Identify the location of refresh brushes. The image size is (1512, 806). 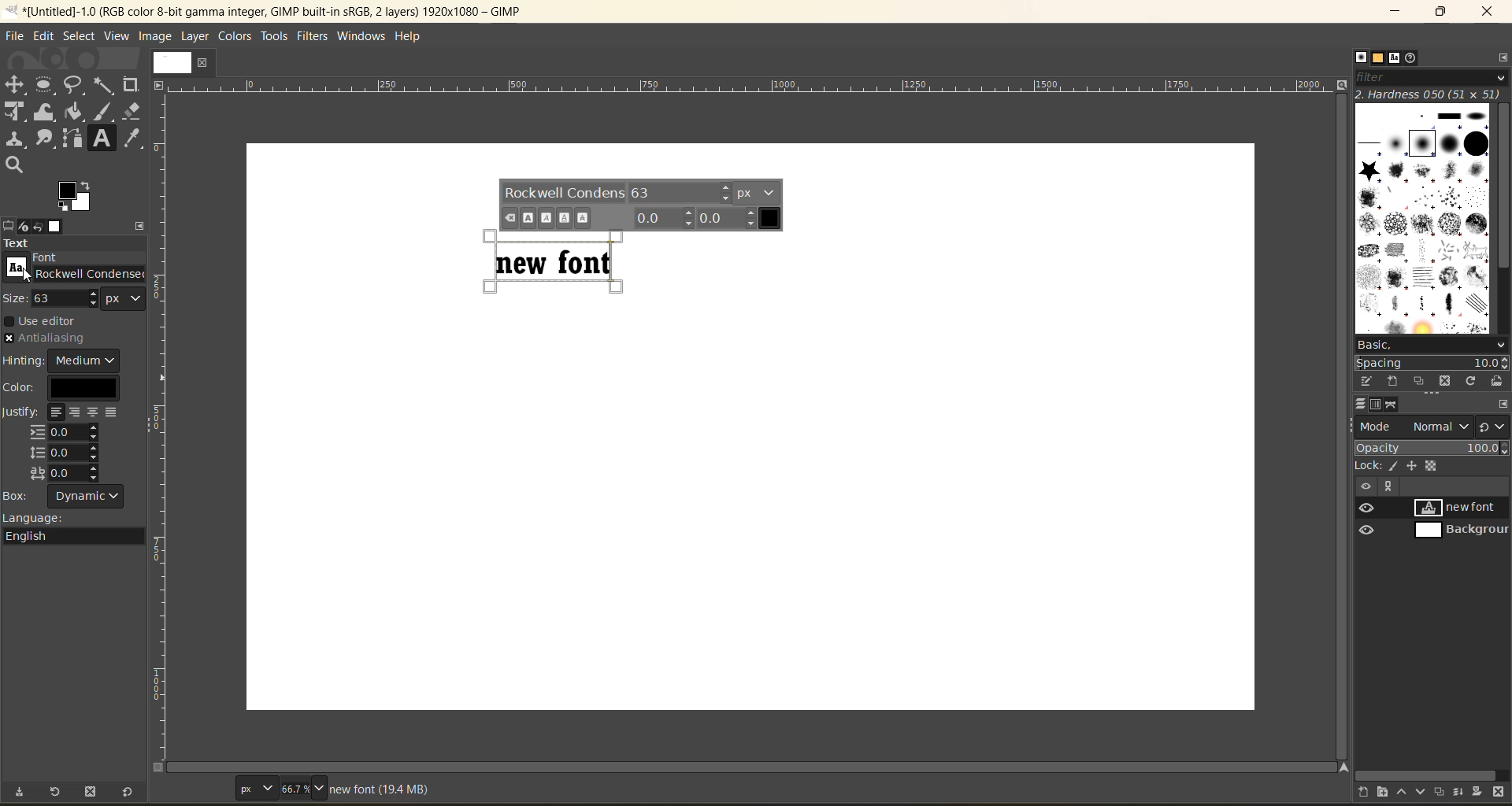
(1469, 382).